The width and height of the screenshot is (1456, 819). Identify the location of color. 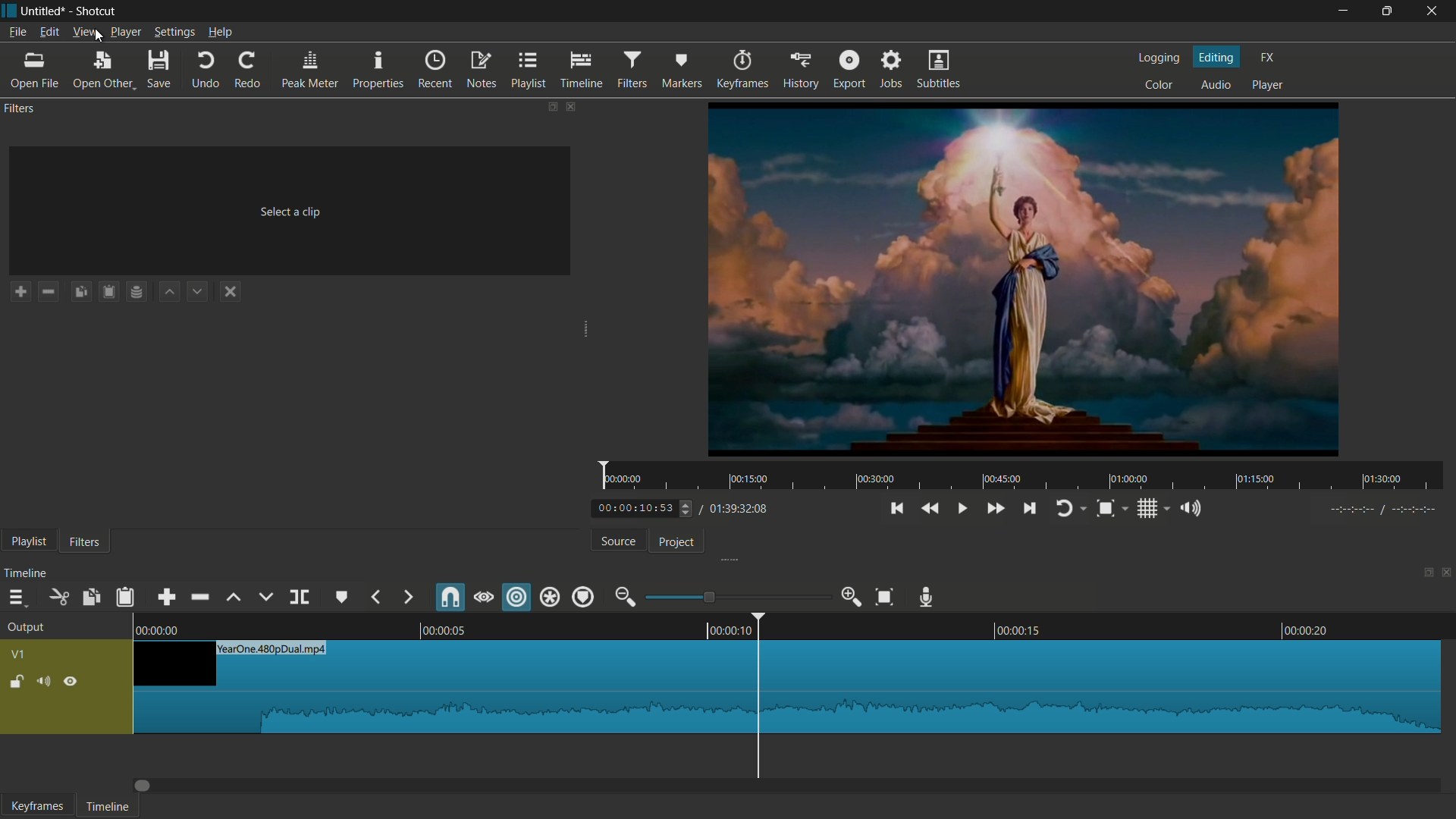
(1160, 83).